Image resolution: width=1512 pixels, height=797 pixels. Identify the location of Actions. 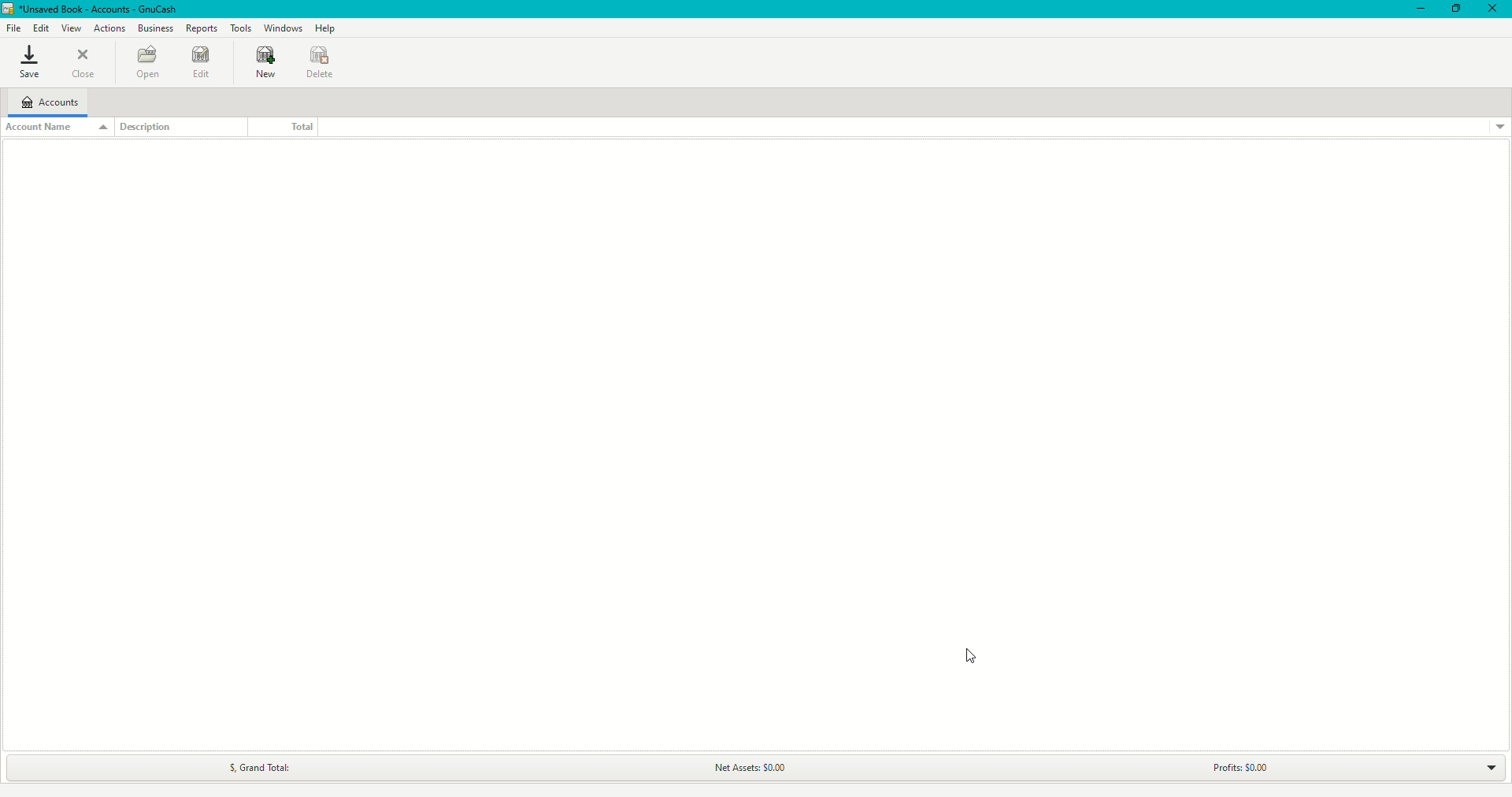
(110, 29).